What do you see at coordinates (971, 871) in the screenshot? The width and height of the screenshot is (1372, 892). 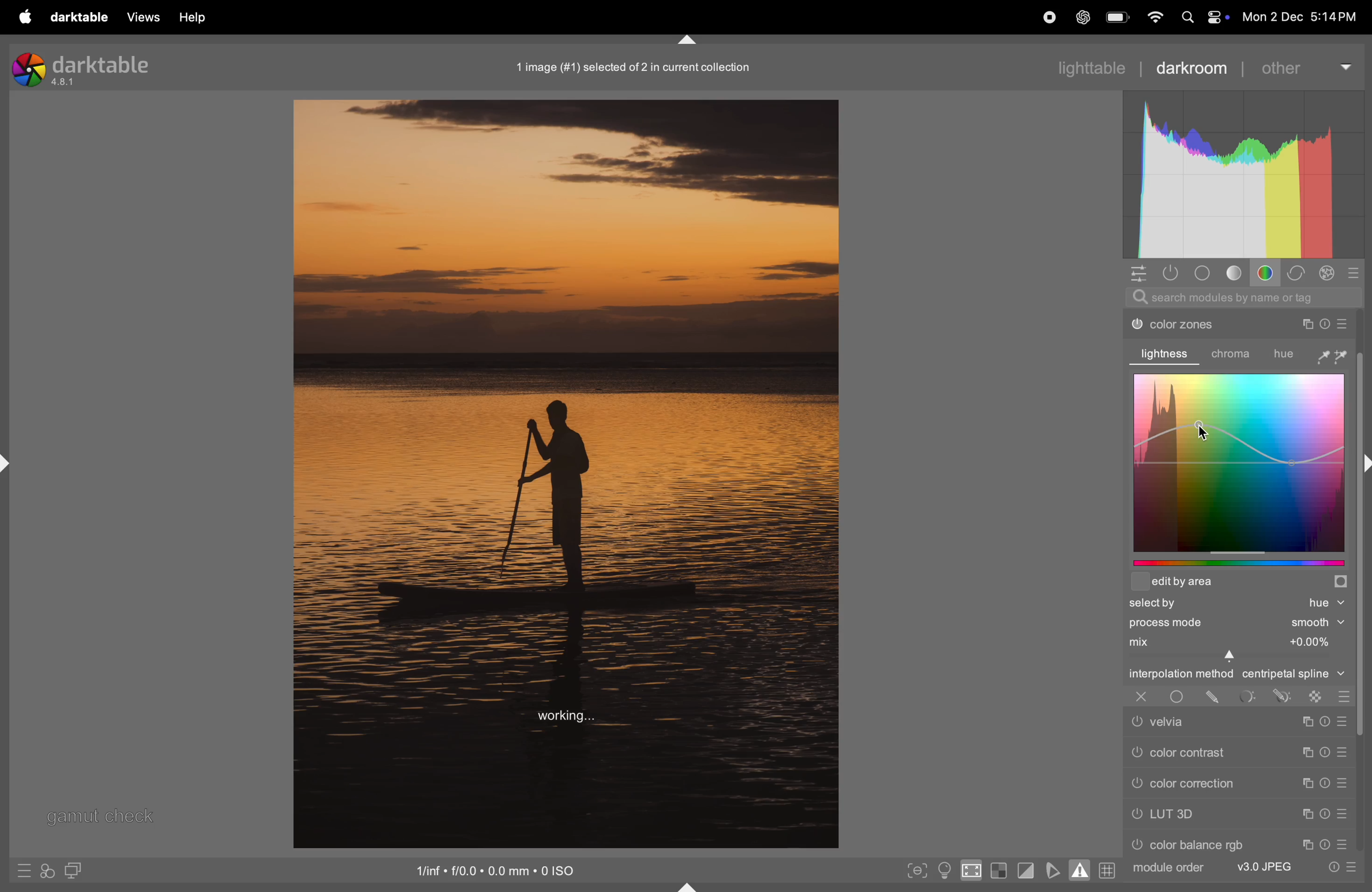 I see `toggle high quality indication` at bounding box center [971, 871].